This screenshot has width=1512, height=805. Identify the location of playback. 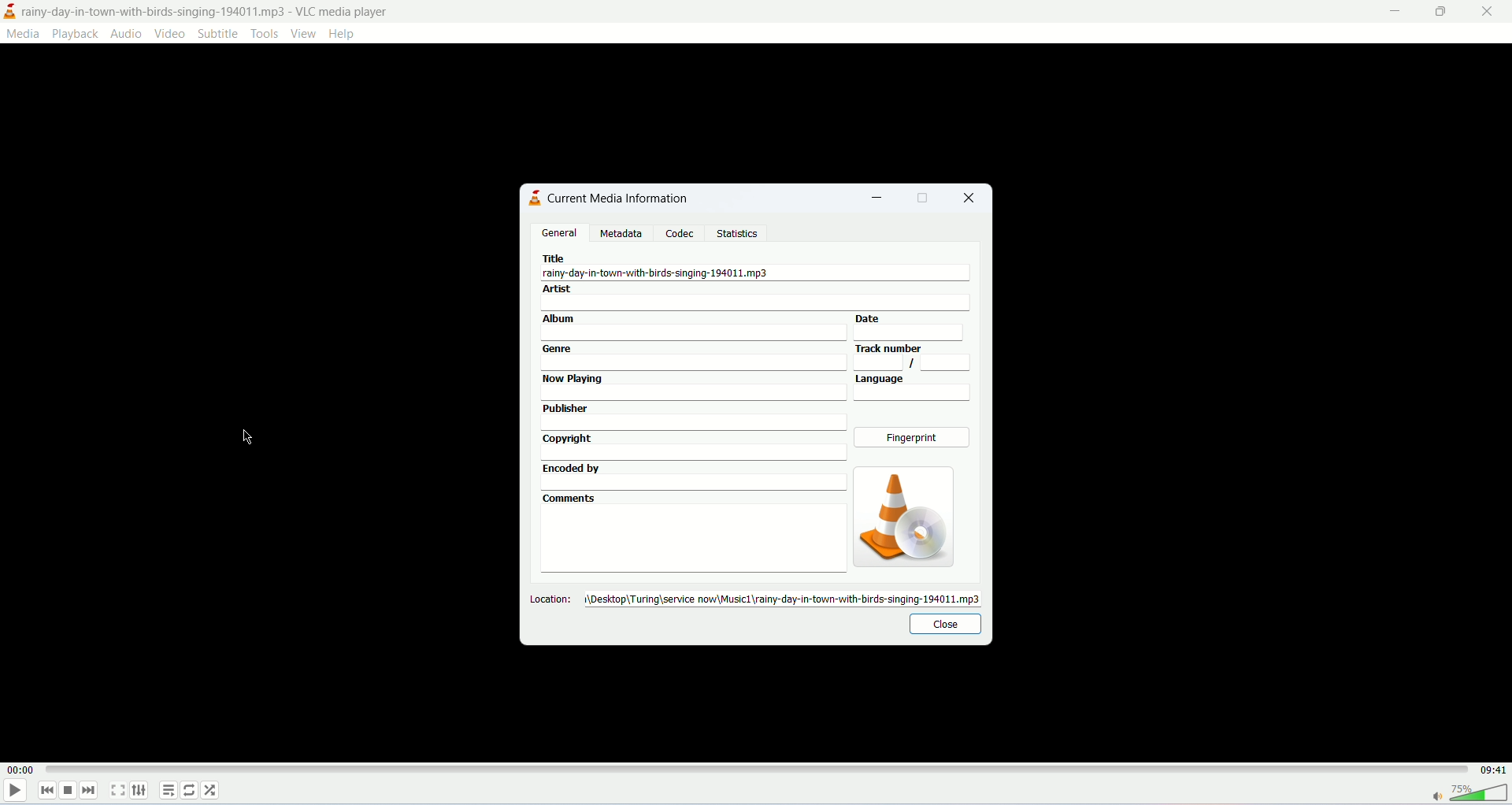
(75, 34).